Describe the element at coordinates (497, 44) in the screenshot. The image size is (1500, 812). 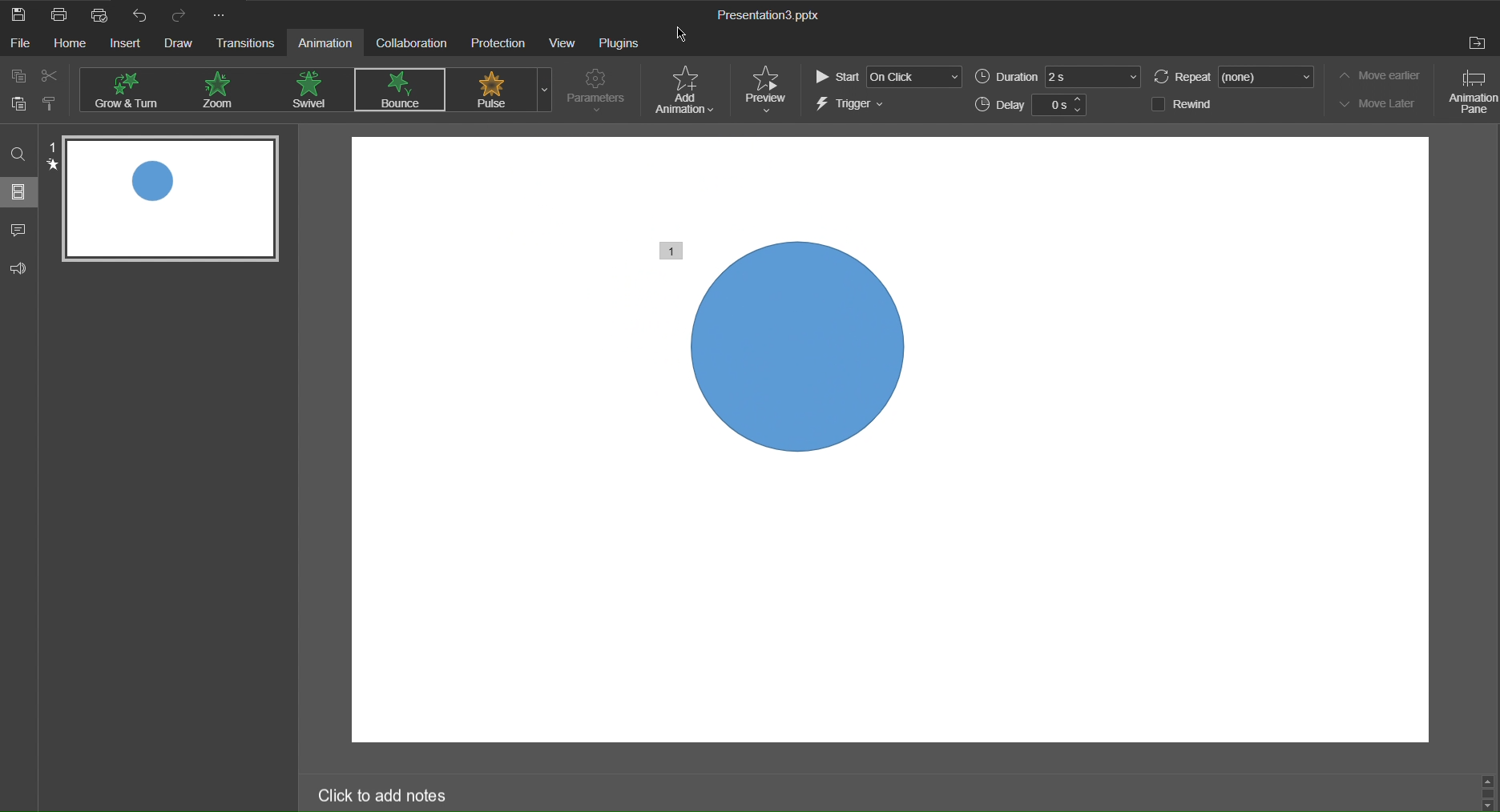
I see `Protection` at that location.